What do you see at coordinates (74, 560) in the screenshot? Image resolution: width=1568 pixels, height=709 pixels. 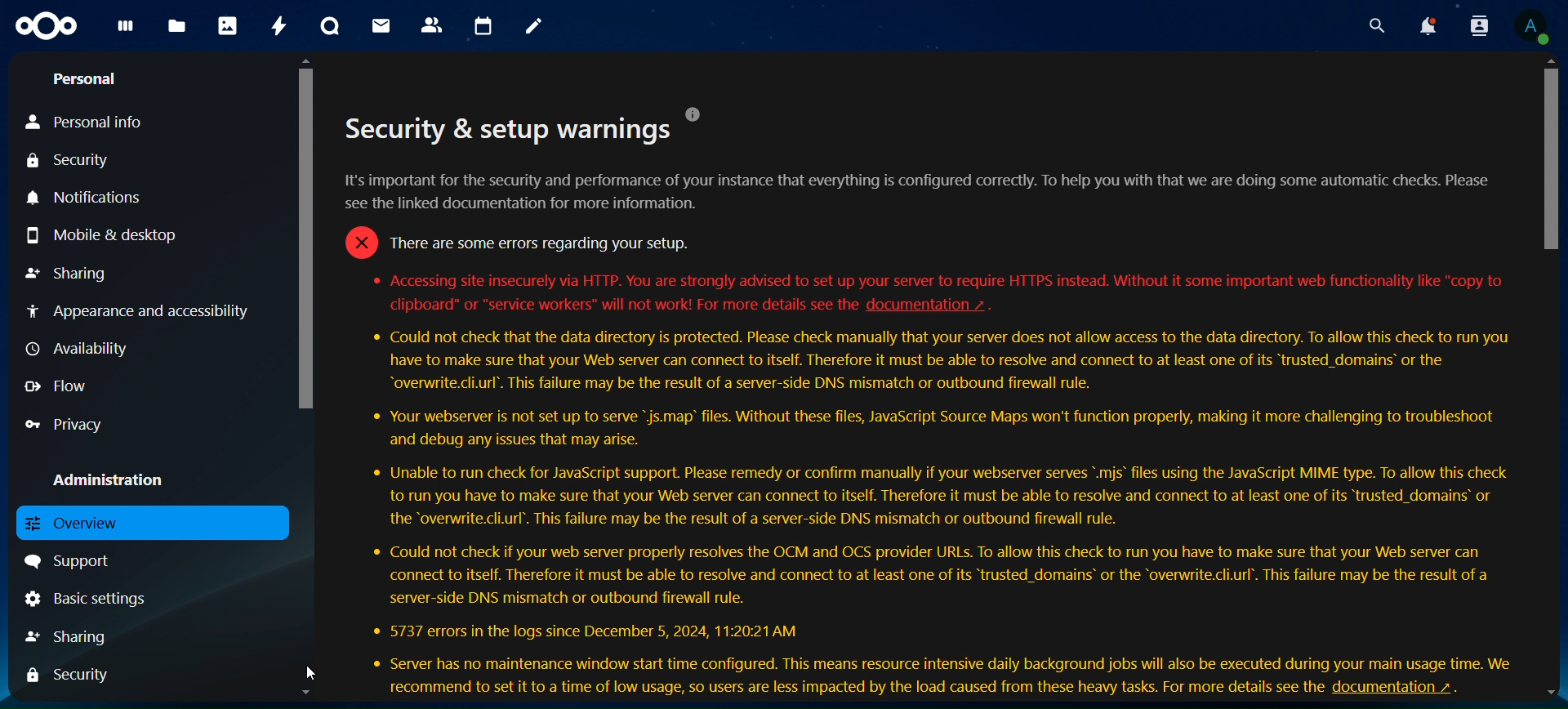 I see `support` at bounding box center [74, 560].